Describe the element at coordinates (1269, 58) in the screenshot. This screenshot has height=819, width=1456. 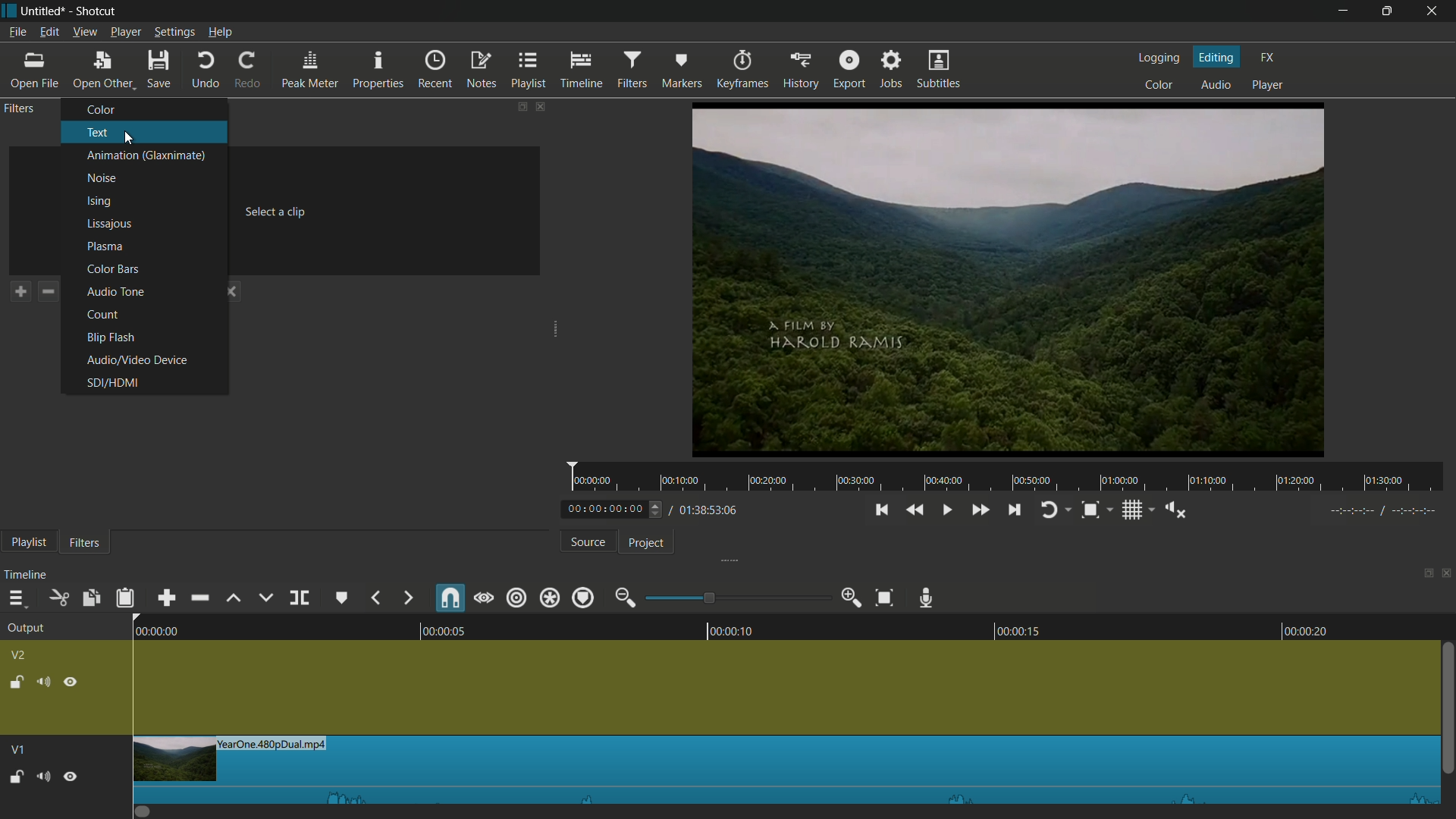
I see `fx` at that location.